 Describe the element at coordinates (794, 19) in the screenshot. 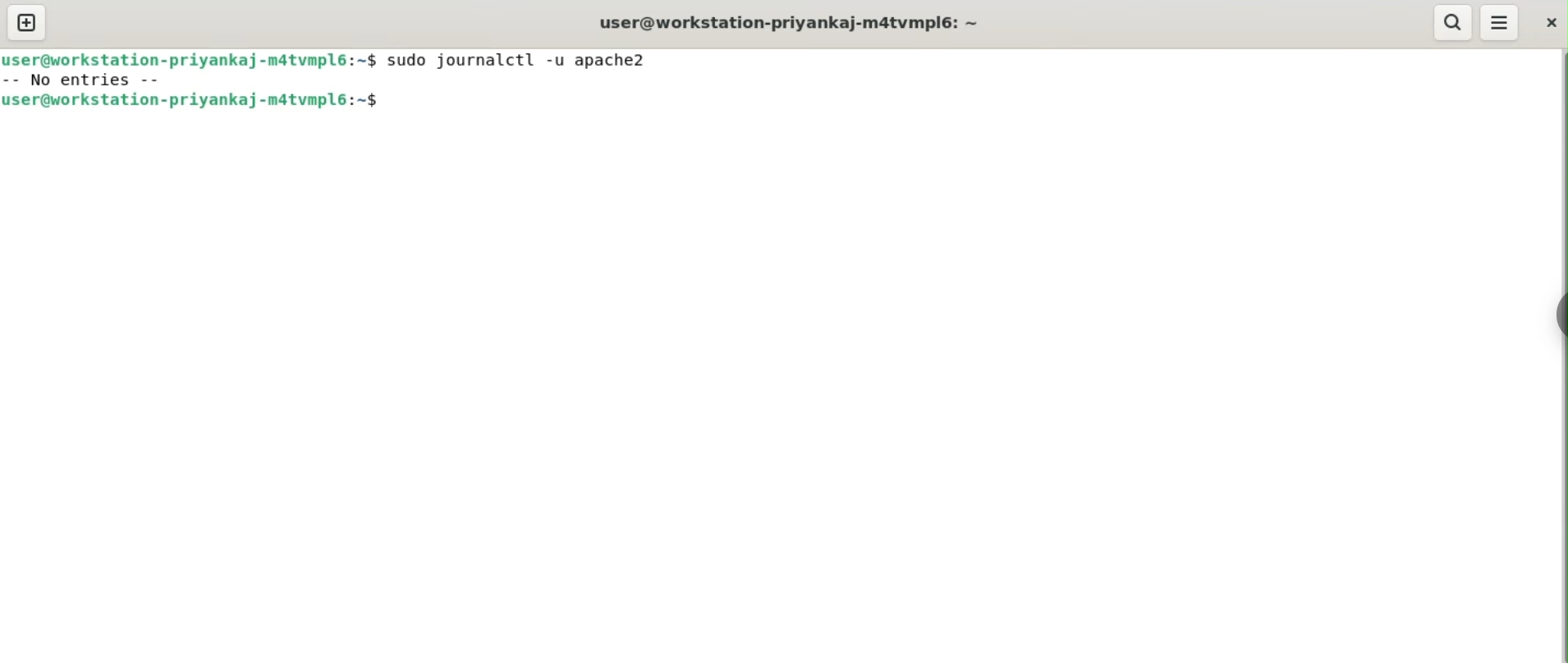

I see `user@workstation-priyankaj-m4tvmpl6:~` at that location.